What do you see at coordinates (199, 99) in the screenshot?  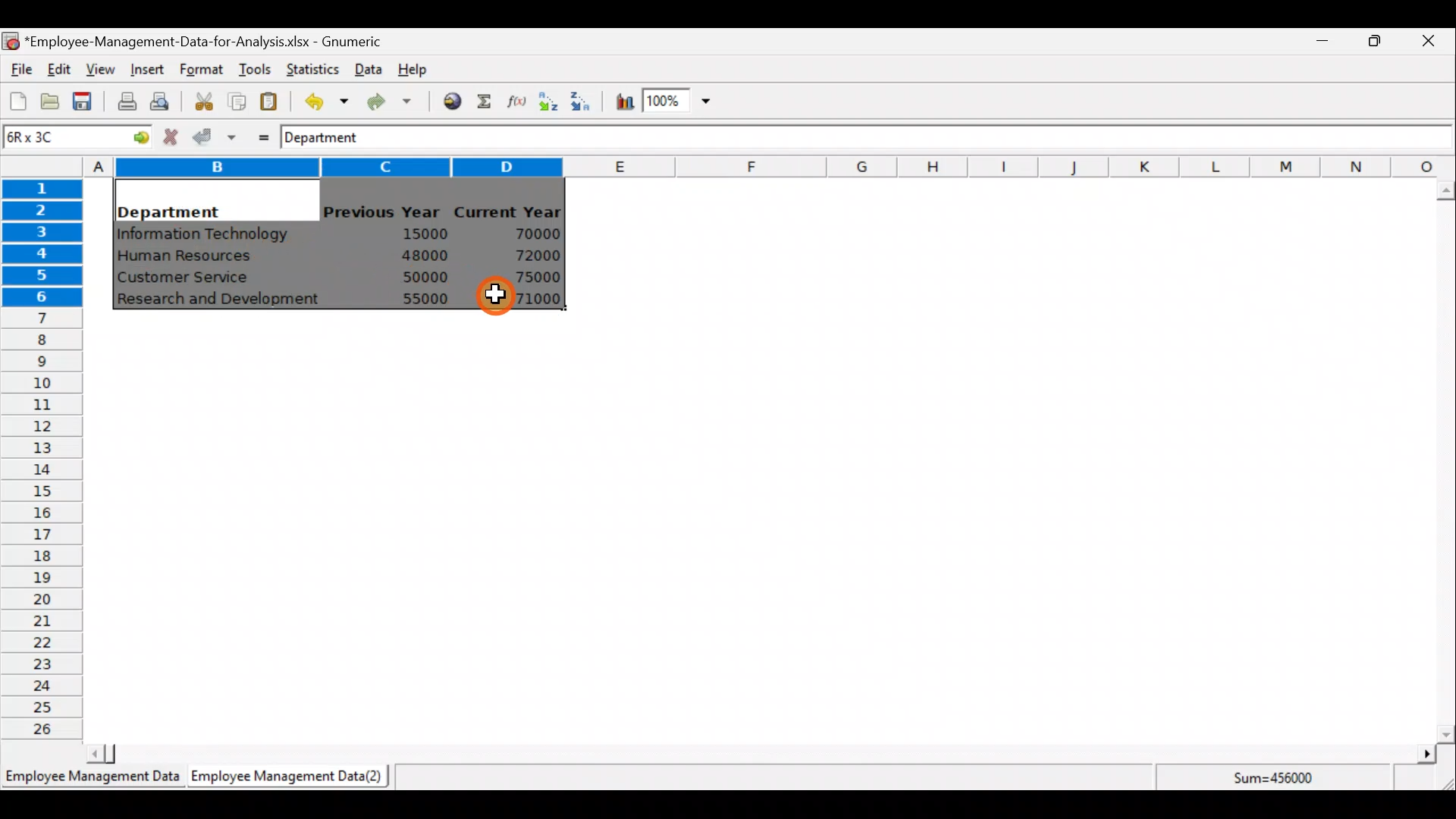 I see `Cut the selection` at bounding box center [199, 99].